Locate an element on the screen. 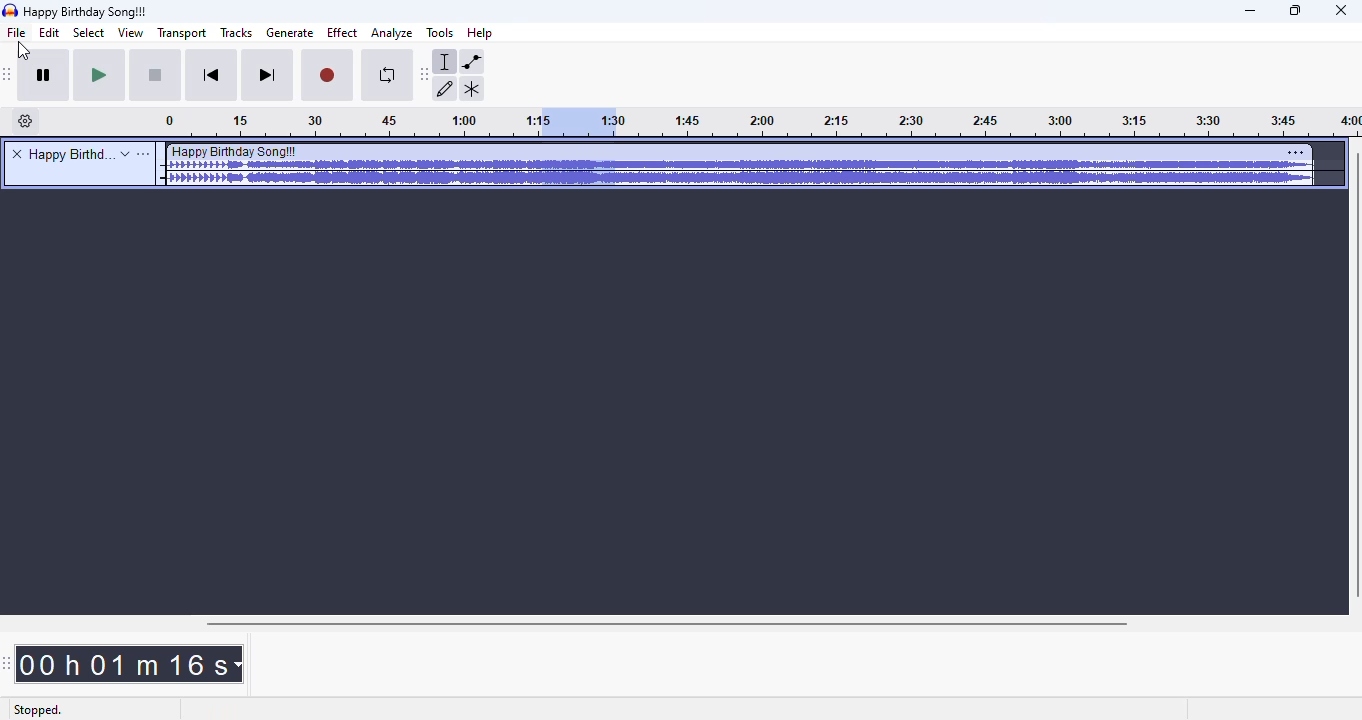 The image size is (1362, 720). multi-tool is located at coordinates (472, 89).